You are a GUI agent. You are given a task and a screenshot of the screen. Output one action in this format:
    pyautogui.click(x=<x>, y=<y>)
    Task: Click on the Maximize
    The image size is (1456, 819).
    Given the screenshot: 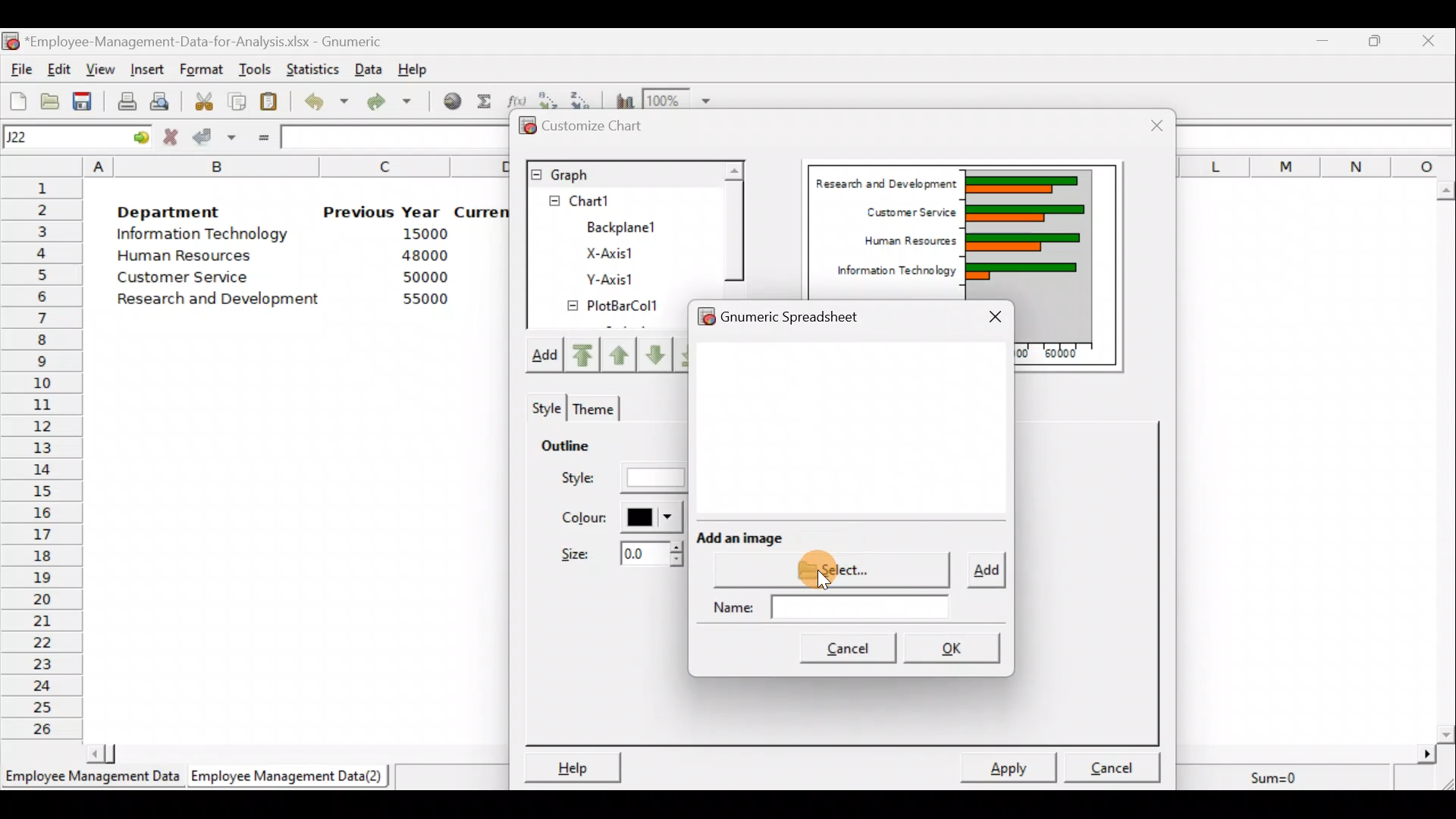 What is the action you would take?
    pyautogui.click(x=1378, y=41)
    